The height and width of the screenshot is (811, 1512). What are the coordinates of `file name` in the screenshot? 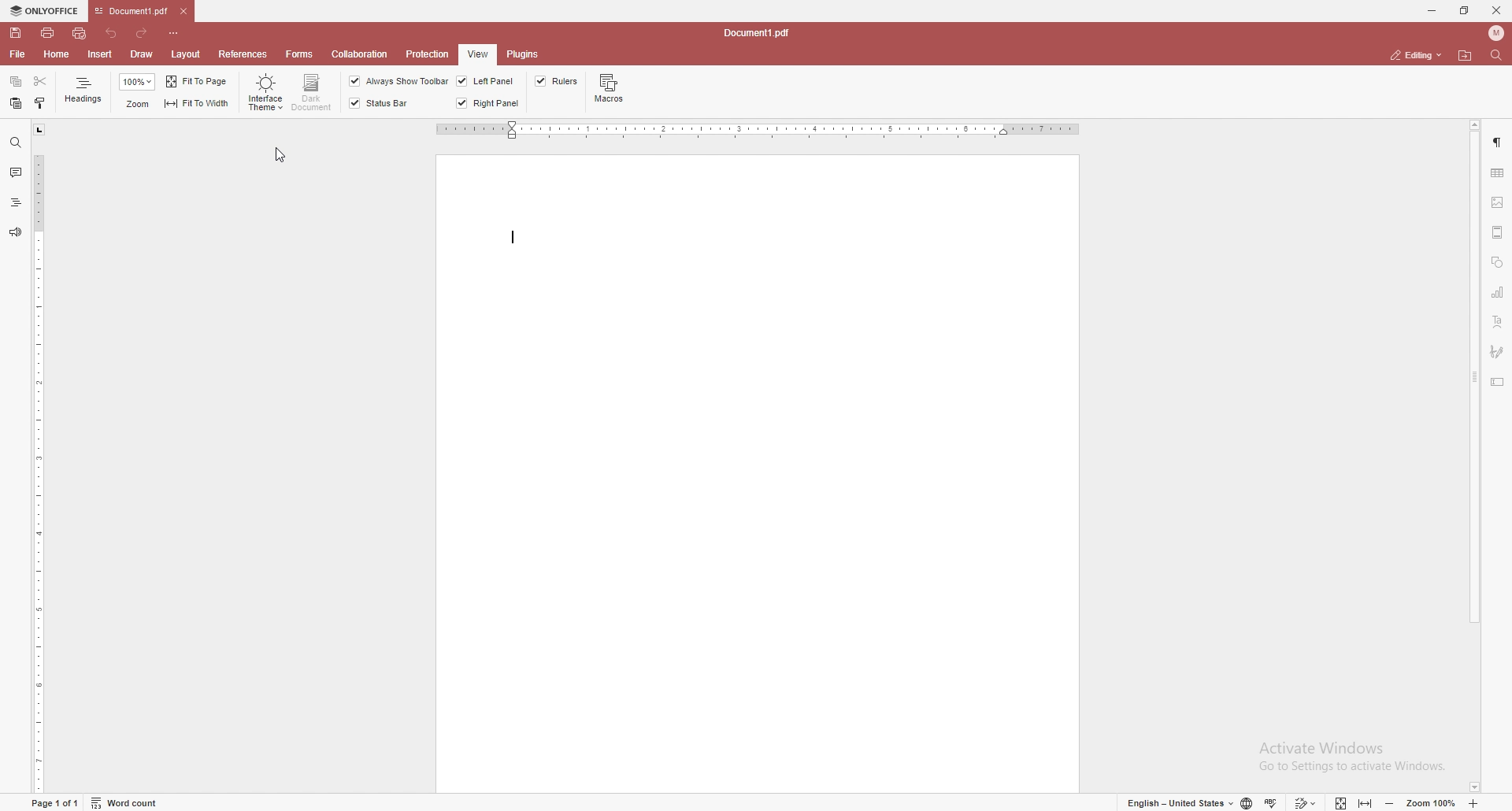 It's located at (757, 31).